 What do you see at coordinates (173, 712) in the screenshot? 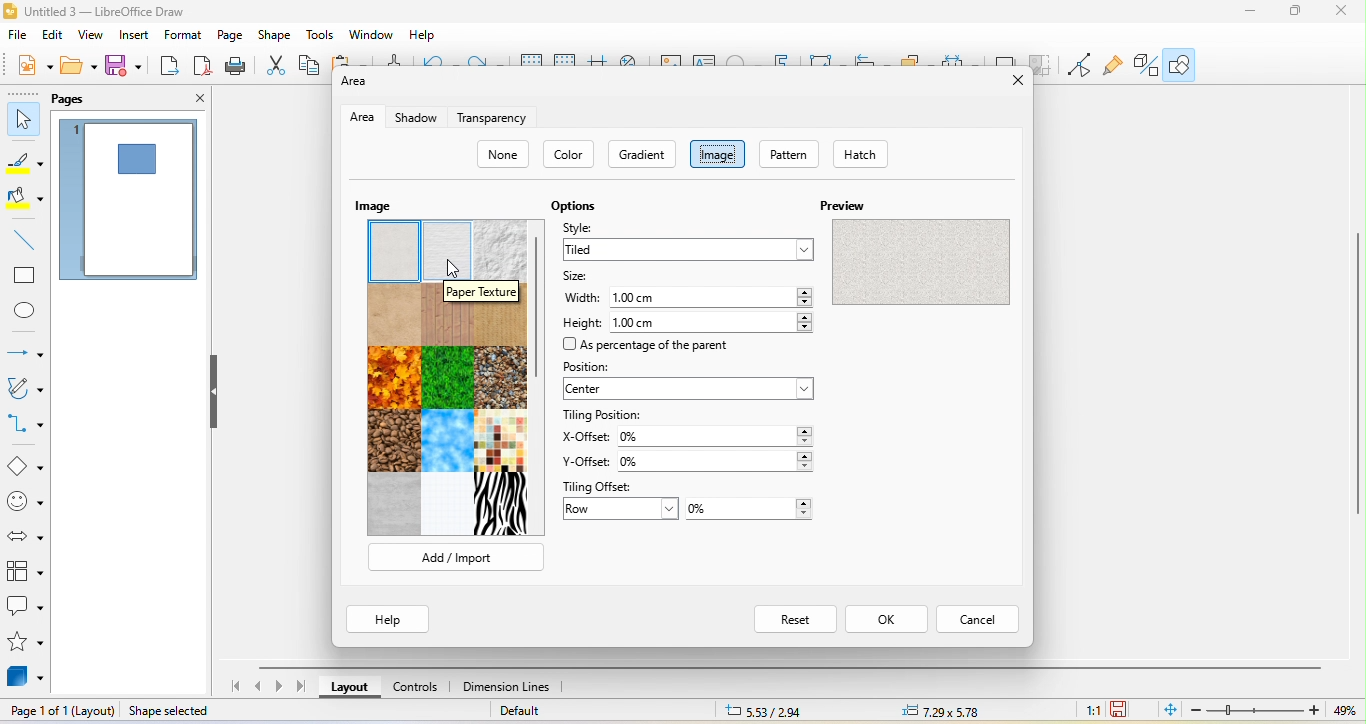
I see `shape selected` at bounding box center [173, 712].